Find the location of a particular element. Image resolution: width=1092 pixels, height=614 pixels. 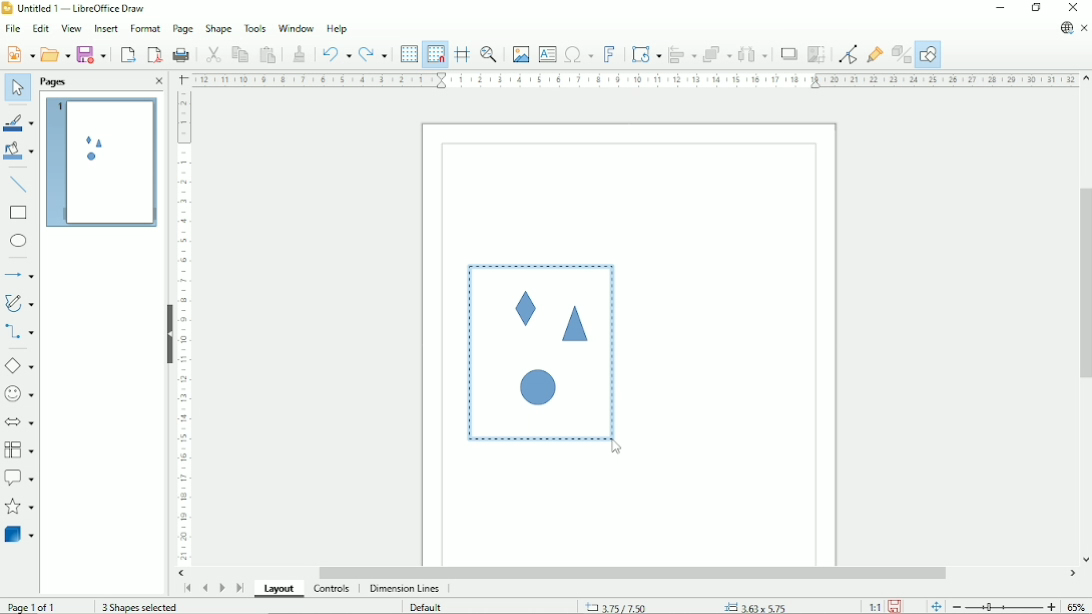

Cut is located at coordinates (212, 53).